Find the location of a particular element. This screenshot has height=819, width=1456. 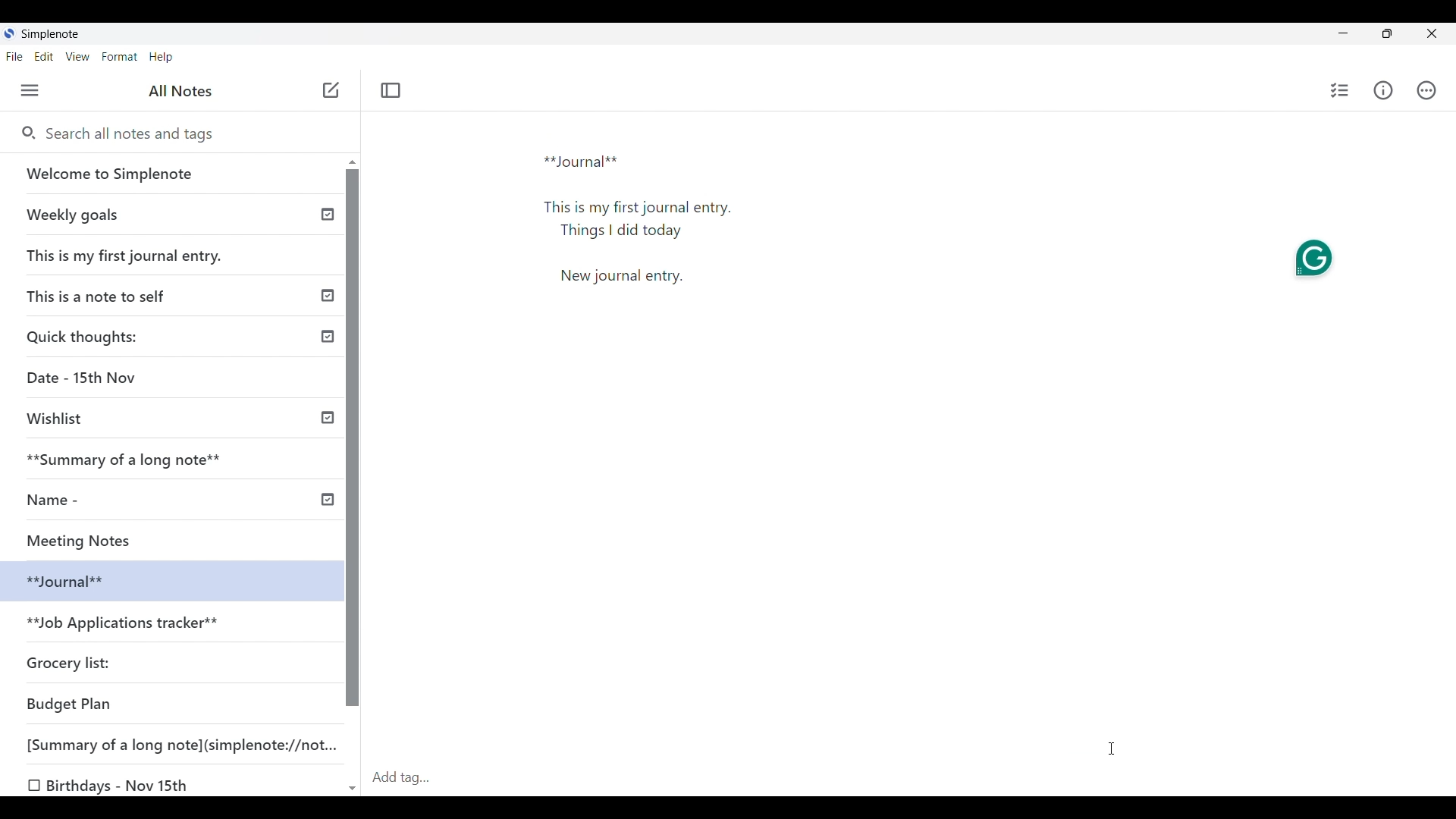

View menu is located at coordinates (78, 57).